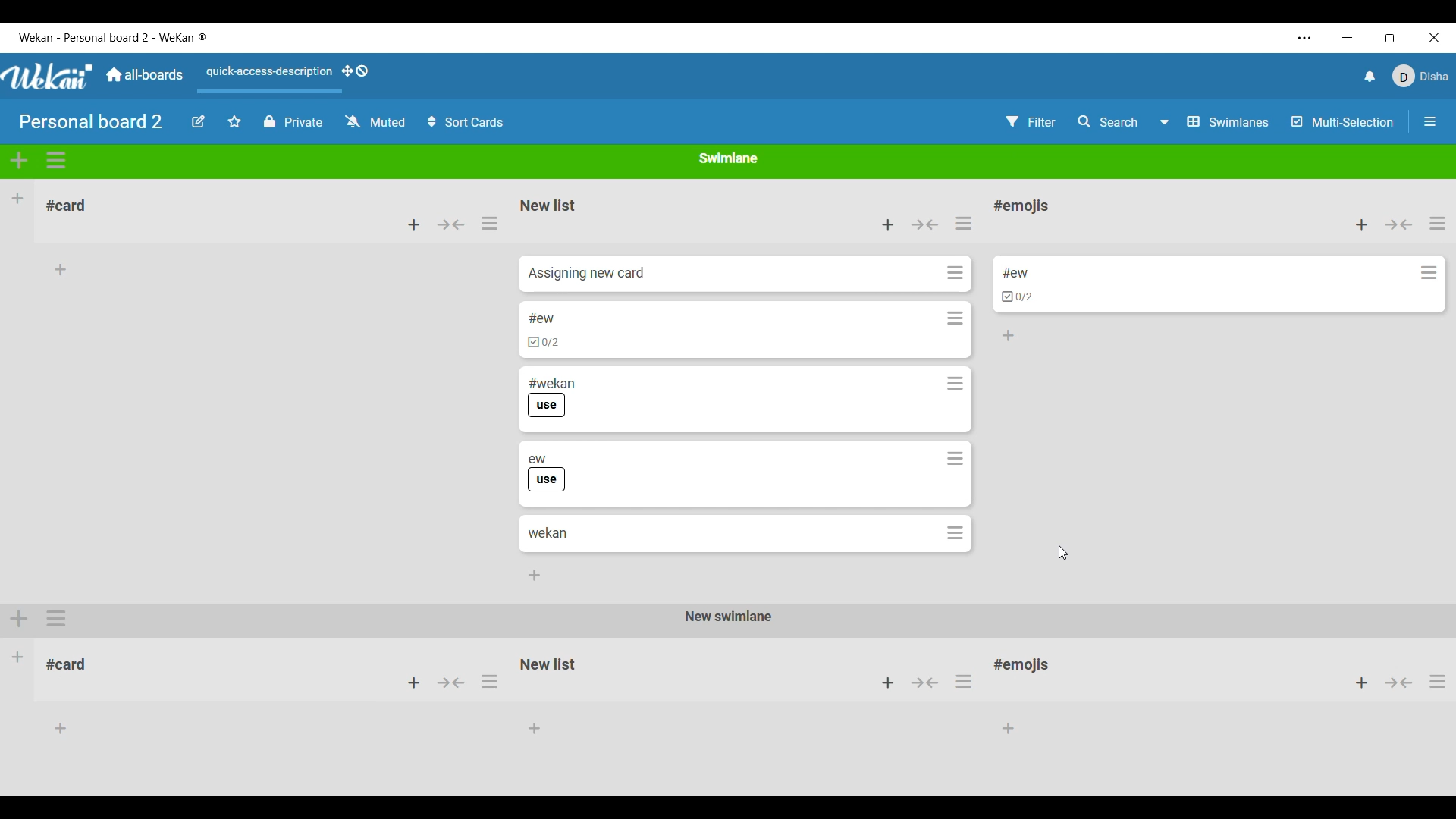 The image size is (1456, 819). Describe the element at coordinates (91, 121) in the screenshot. I see `Board title` at that location.